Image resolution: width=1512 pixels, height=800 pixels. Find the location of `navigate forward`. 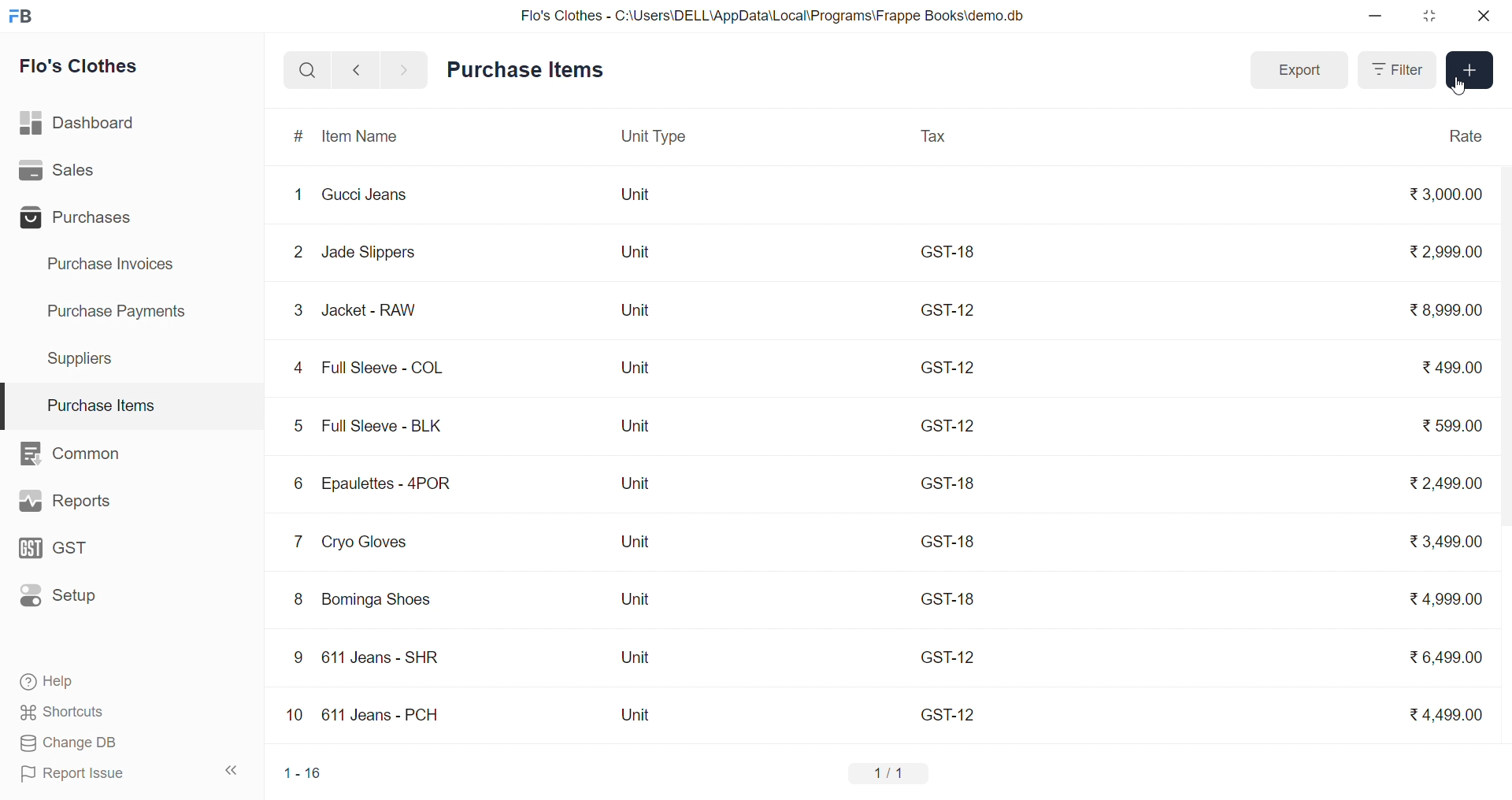

navigate forward is located at coordinates (406, 70).